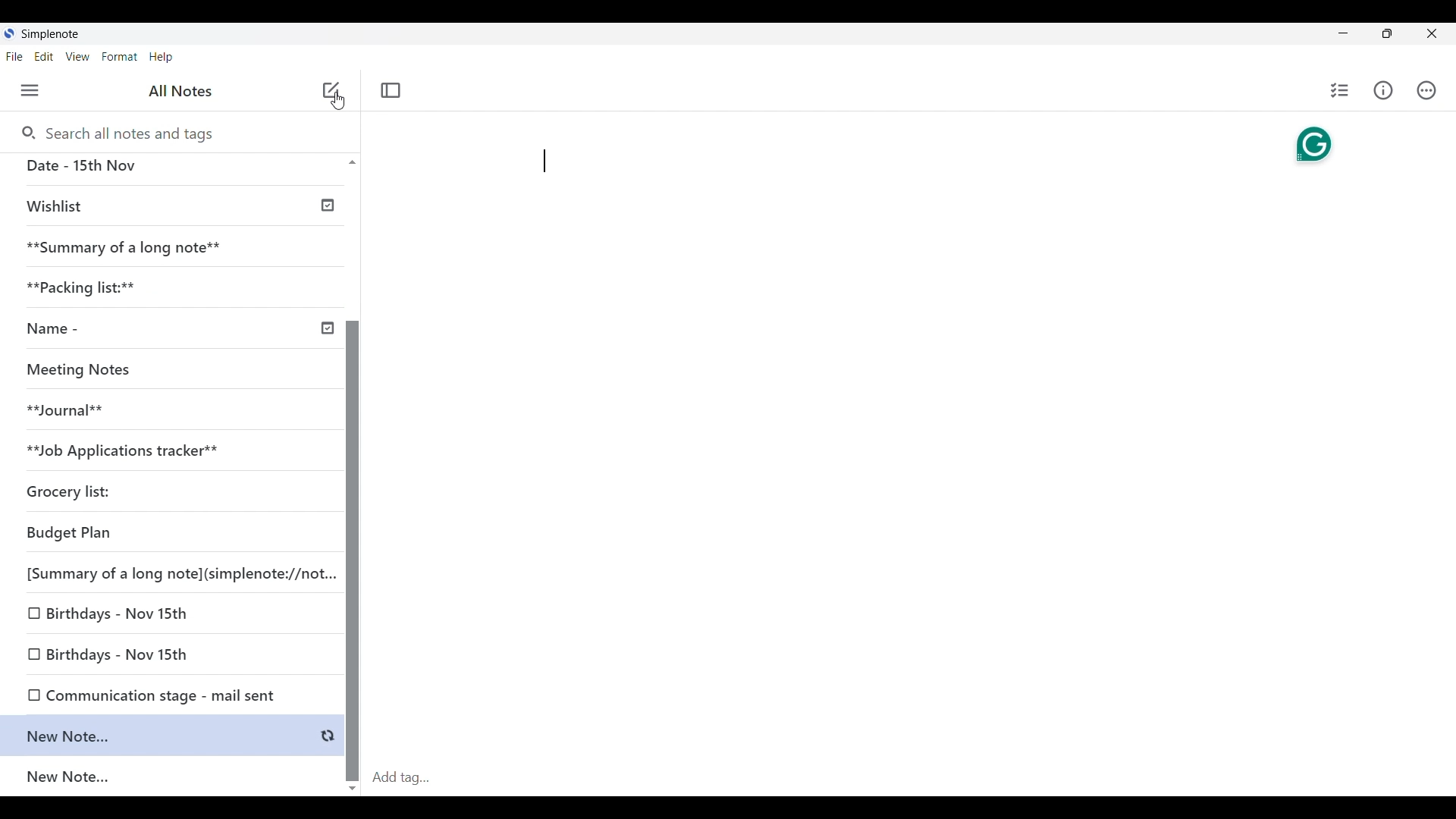 Image resolution: width=1456 pixels, height=819 pixels. I want to click on Resize, so click(1382, 35).